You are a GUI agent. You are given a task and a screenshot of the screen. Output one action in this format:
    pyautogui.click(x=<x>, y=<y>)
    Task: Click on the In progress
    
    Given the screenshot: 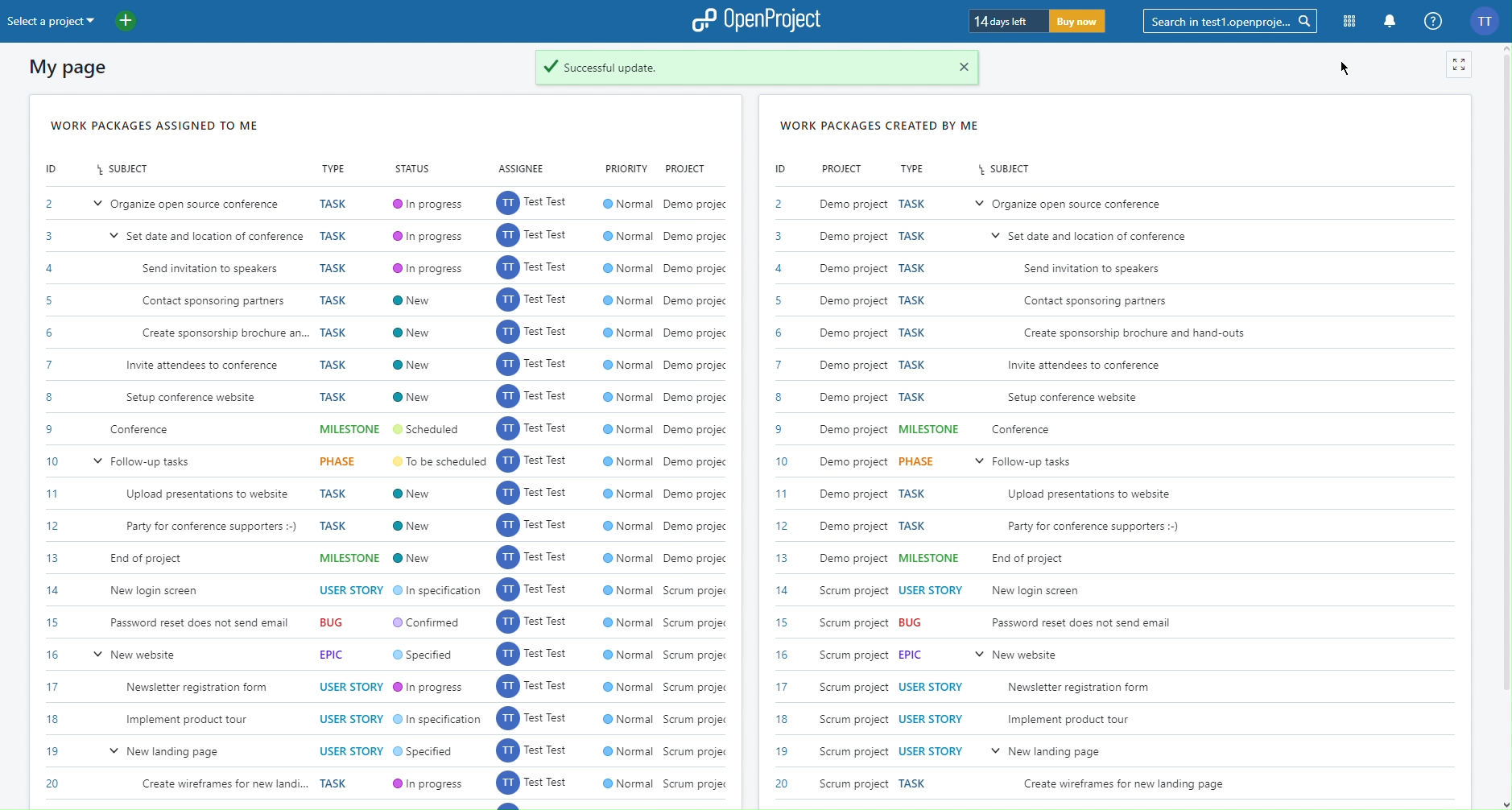 What is the action you would take?
    pyautogui.click(x=431, y=783)
    